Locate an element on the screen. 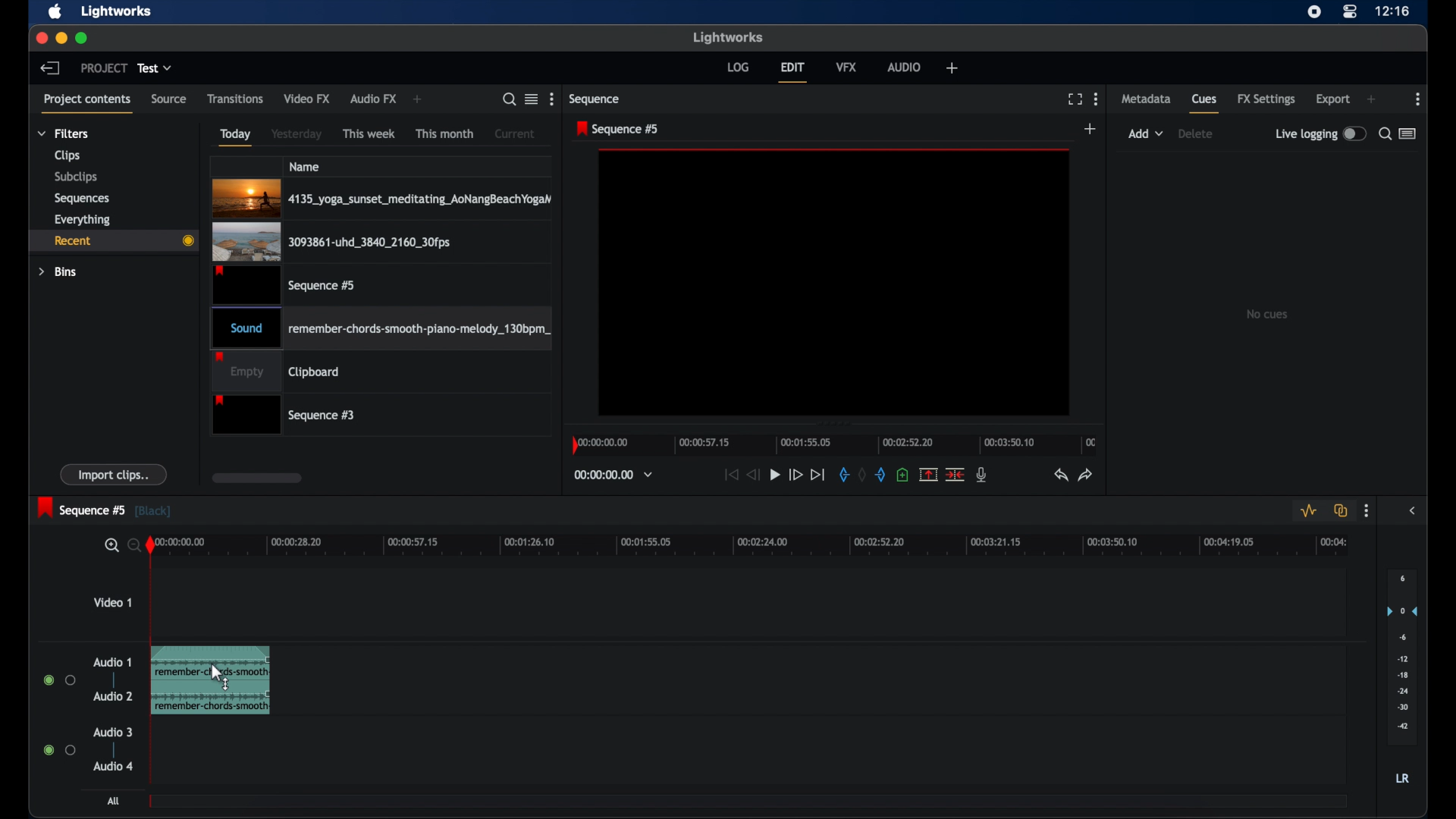  subclips is located at coordinates (77, 177).